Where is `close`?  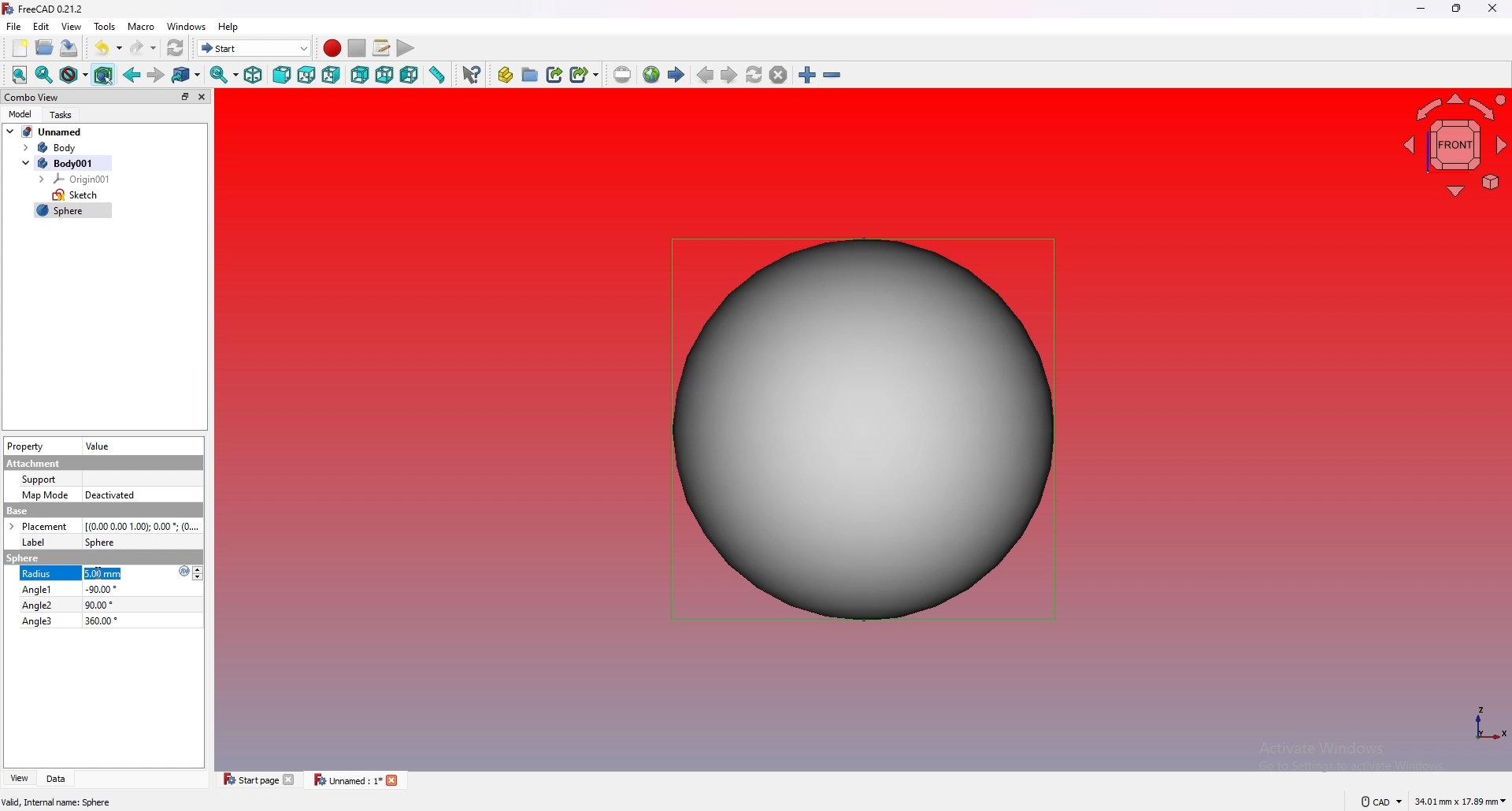 close is located at coordinates (202, 97).